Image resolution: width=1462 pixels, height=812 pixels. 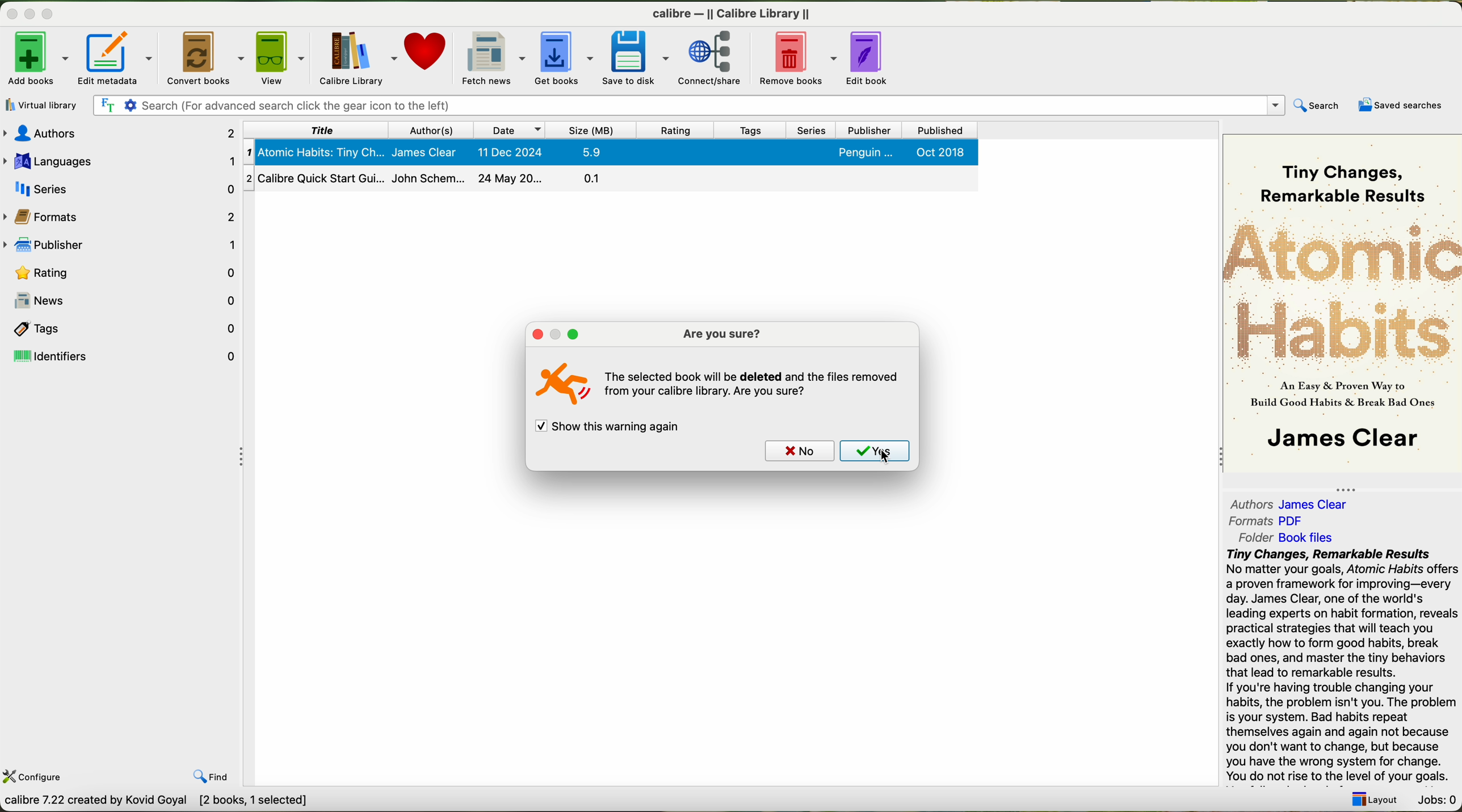 What do you see at coordinates (29, 15) in the screenshot?
I see `minimize program` at bounding box center [29, 15].